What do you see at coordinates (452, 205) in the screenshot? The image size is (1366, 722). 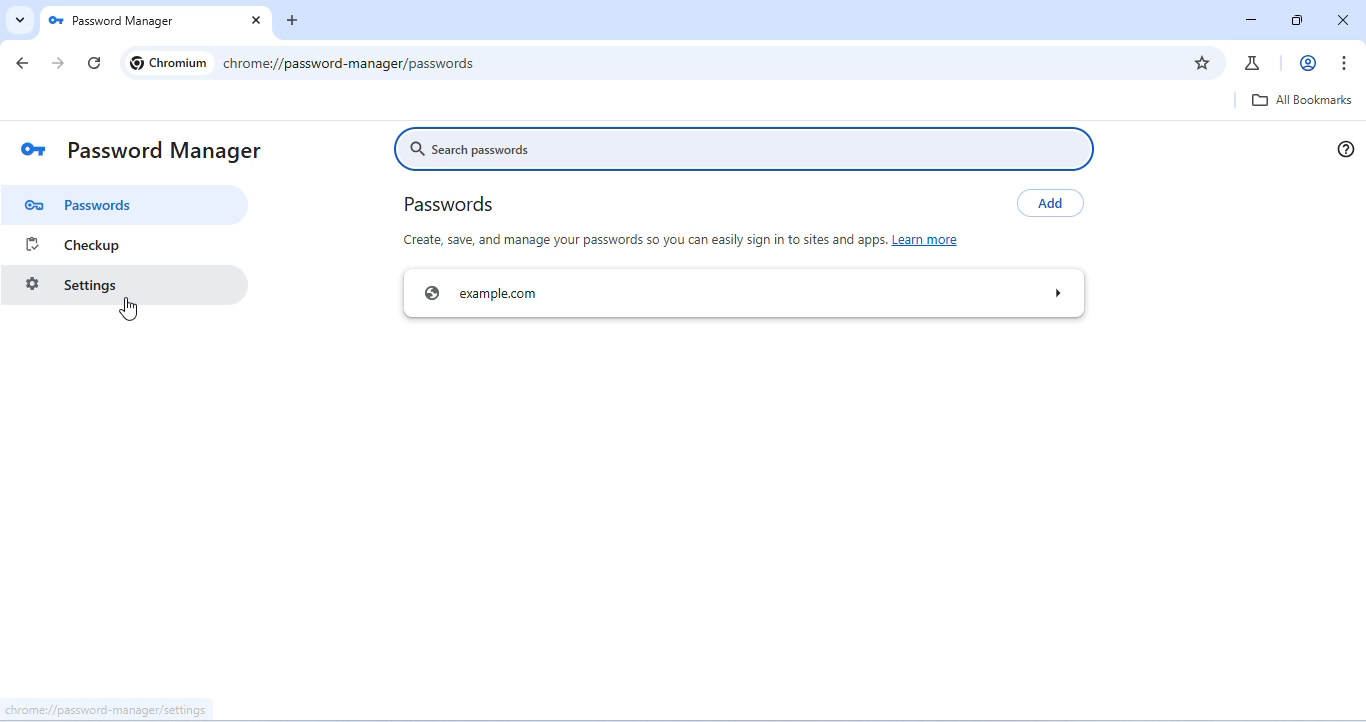 I see `passwords` at bounding box center [452, 205].